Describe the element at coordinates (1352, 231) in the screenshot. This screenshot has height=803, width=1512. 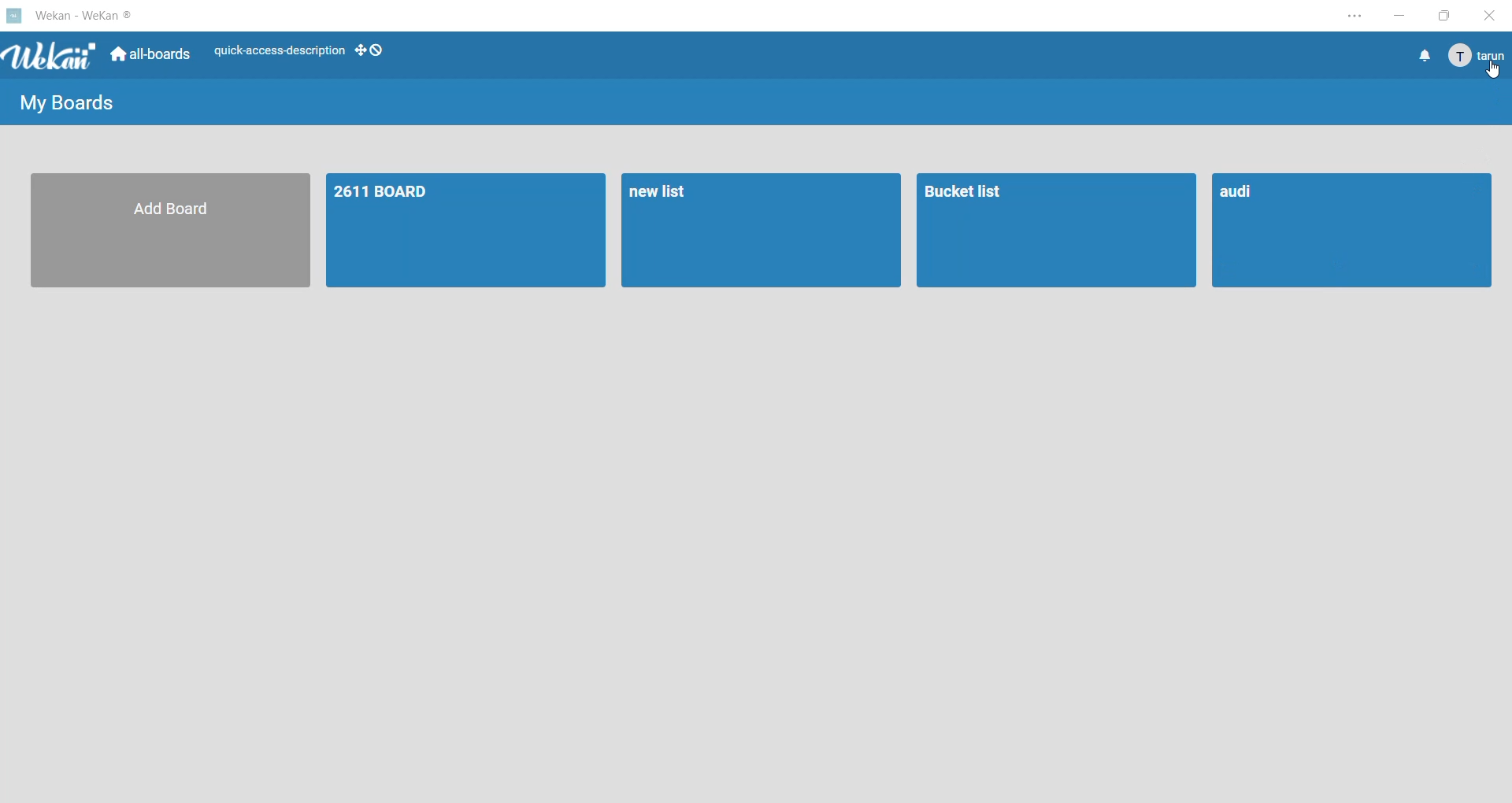
I see `board 4-audi` at that location.